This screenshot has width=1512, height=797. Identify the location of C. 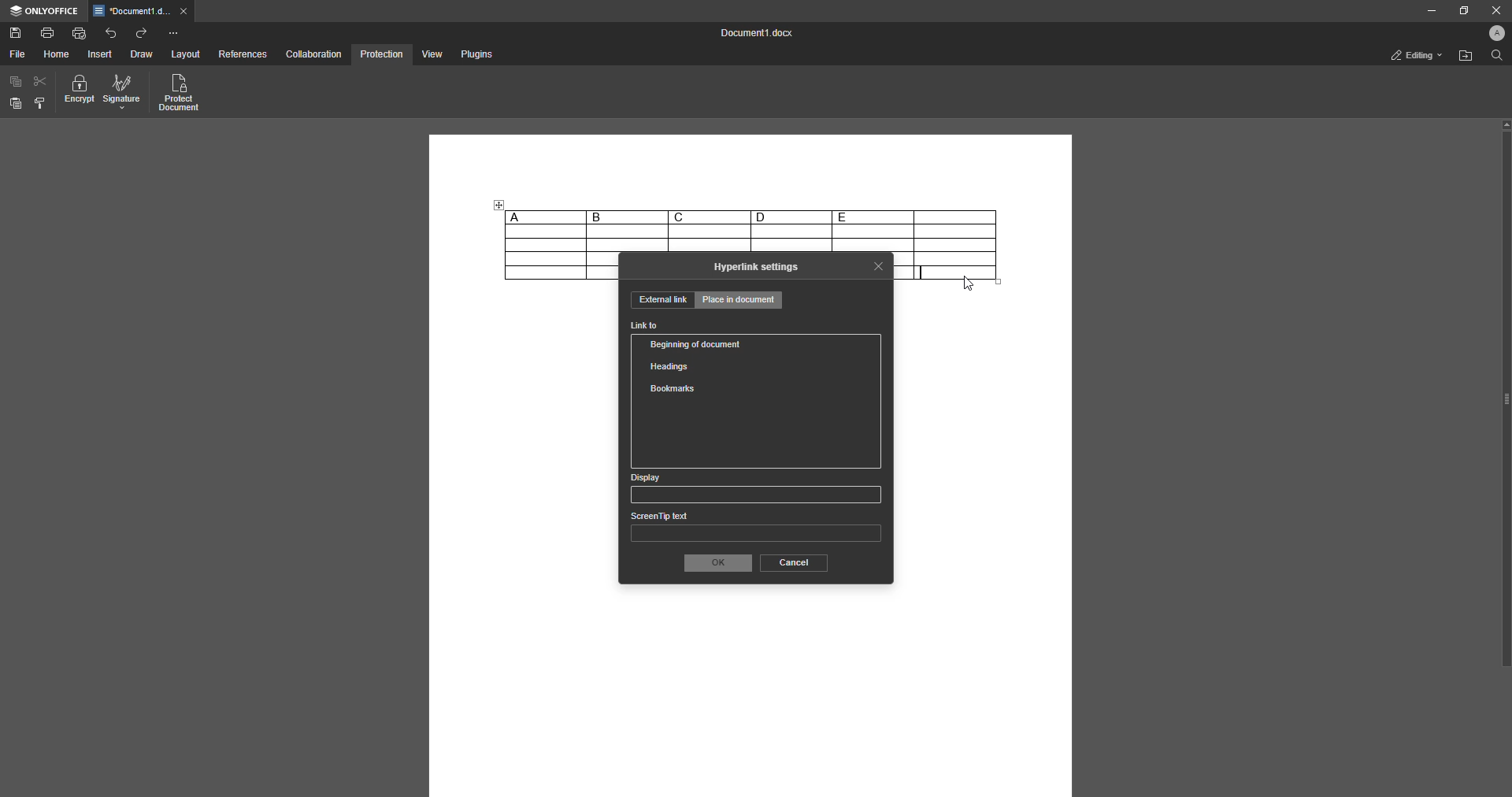
(709, 217).